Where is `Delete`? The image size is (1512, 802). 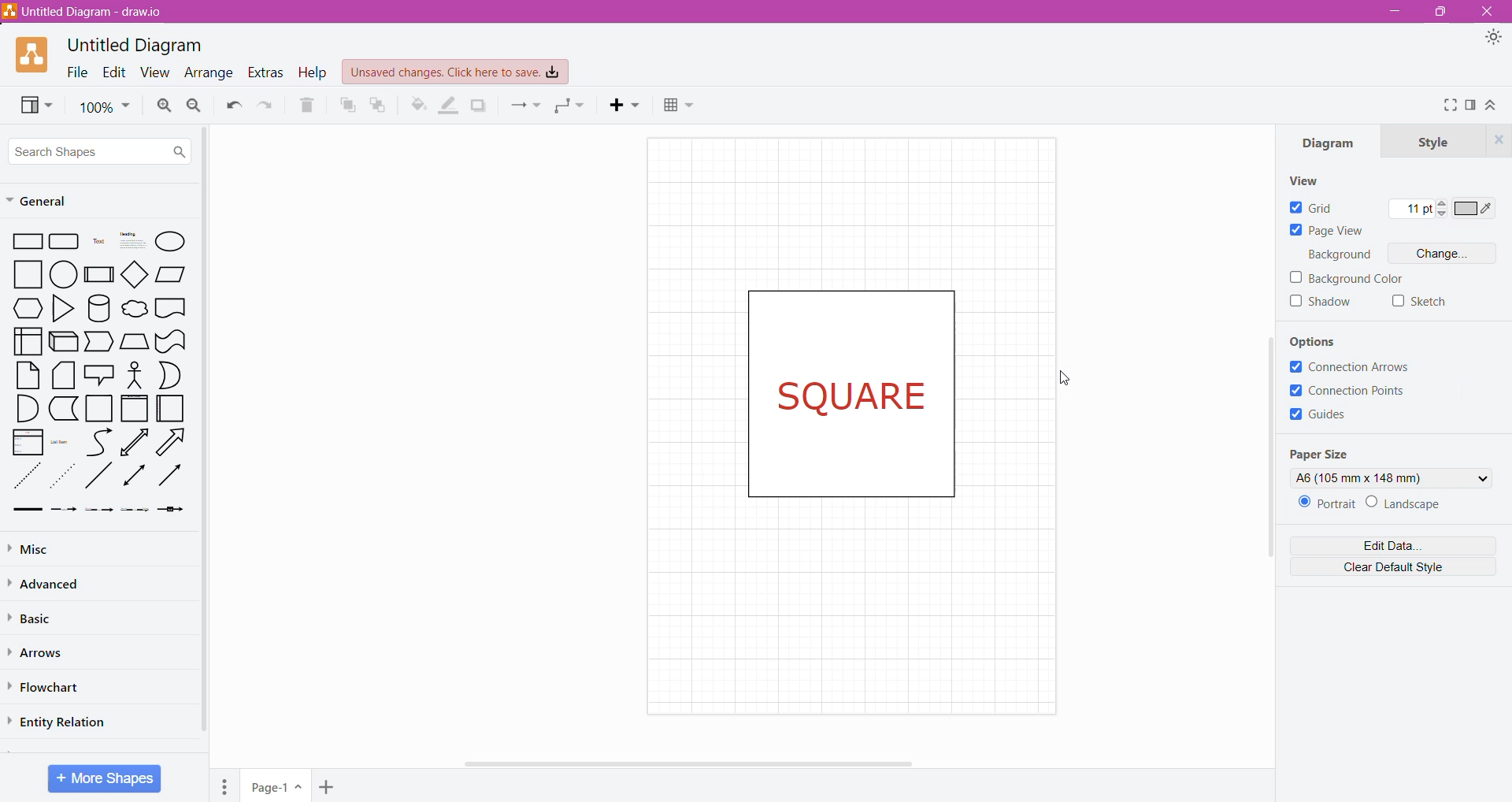 Delete is located at coordinates (313, 106).